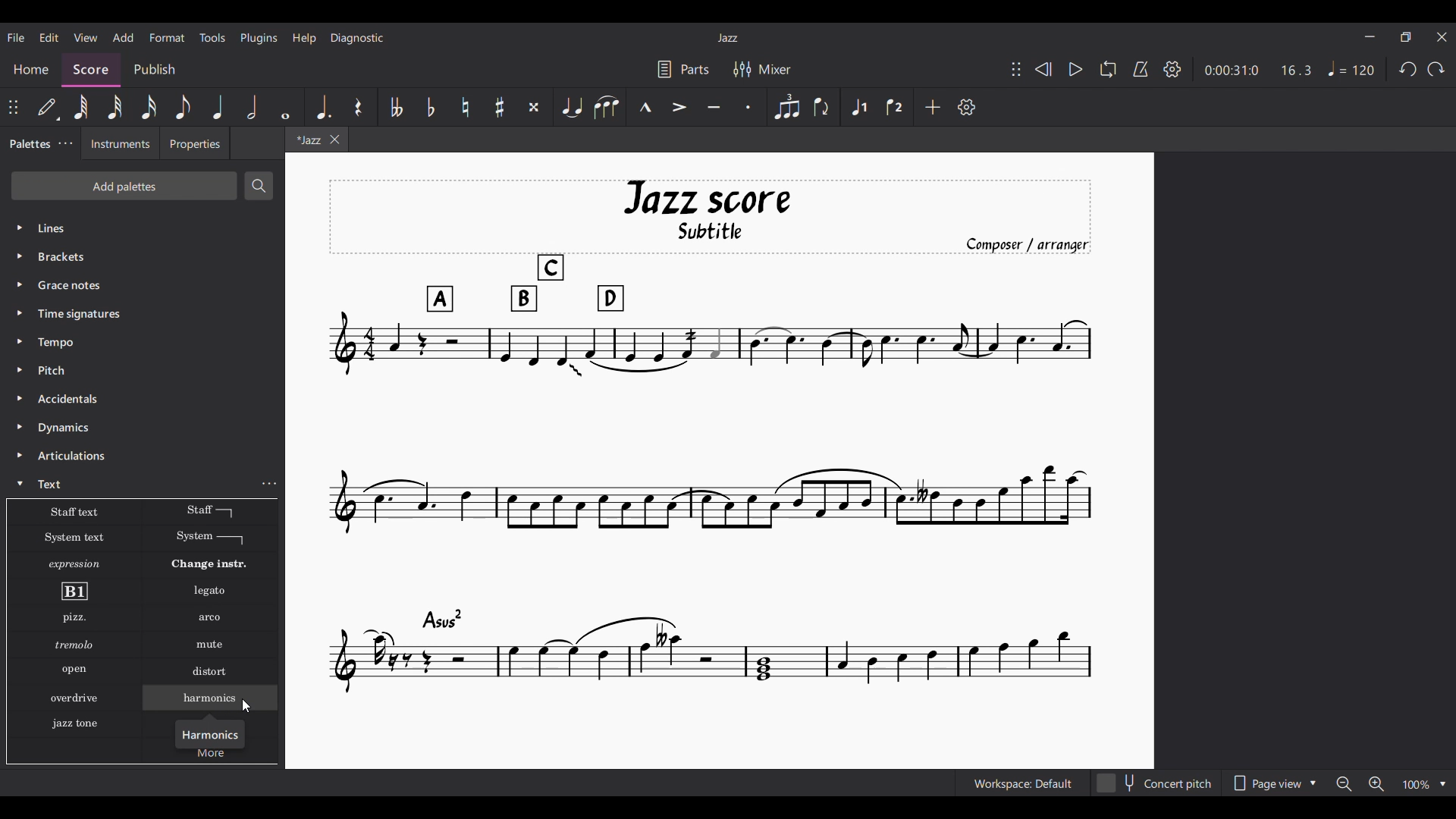  Describe the element at coordinates (149, 107) in the screenshot. I see `16th note` at that location.